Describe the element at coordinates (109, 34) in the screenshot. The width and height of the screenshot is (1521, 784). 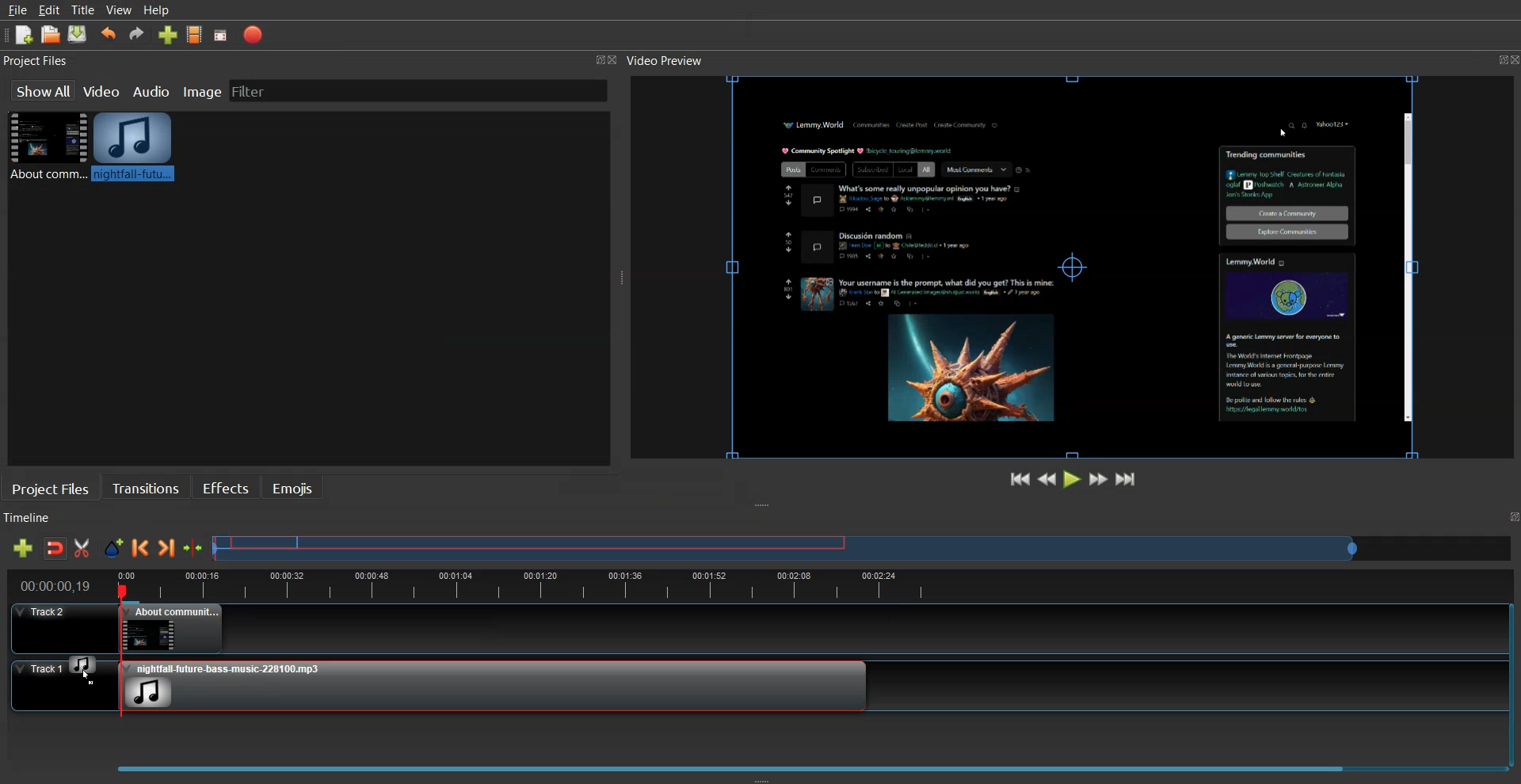
I see `Undo` at that location.